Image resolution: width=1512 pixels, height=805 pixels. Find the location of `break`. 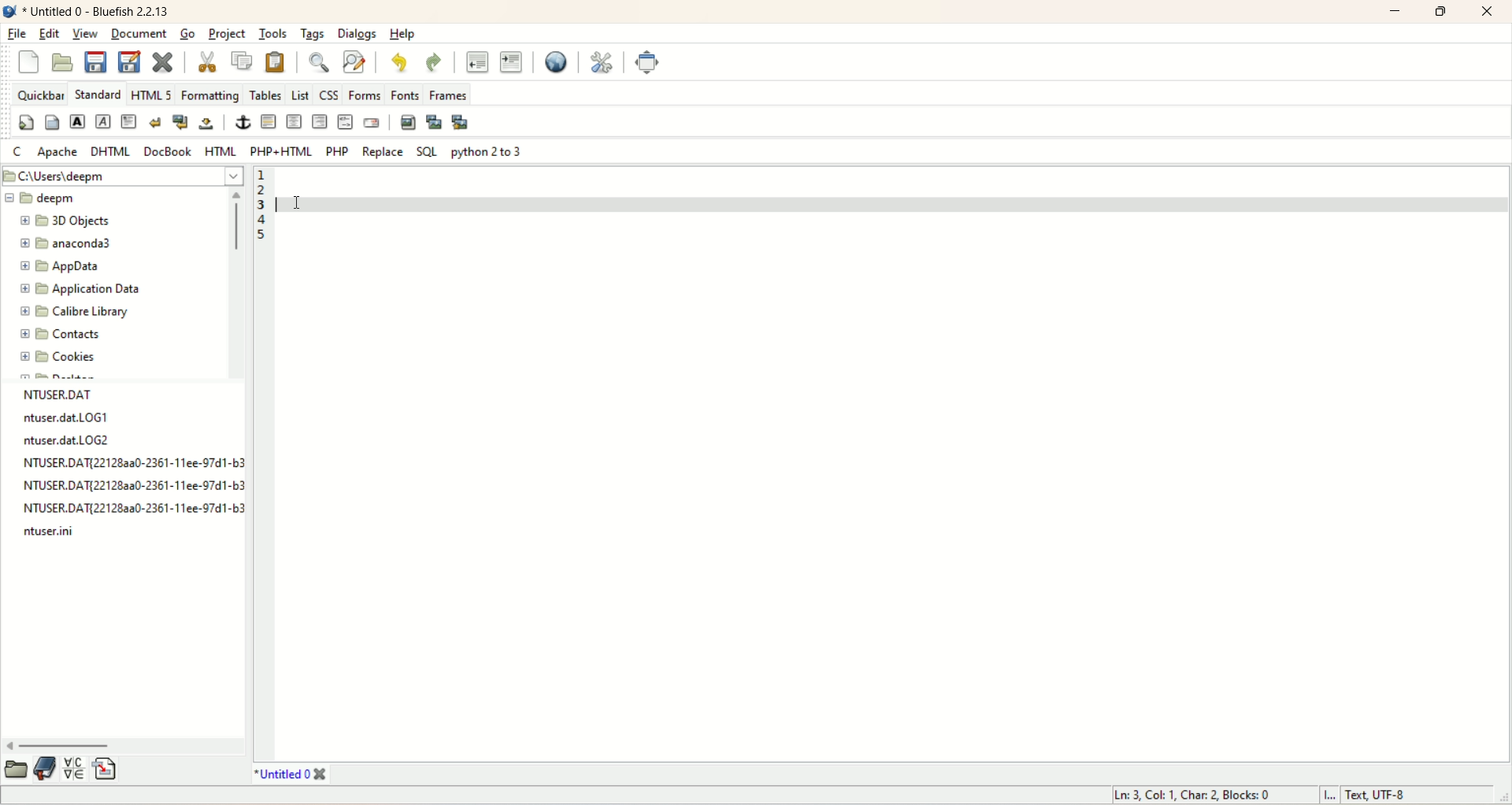

break is located at coordinates (156, 121).